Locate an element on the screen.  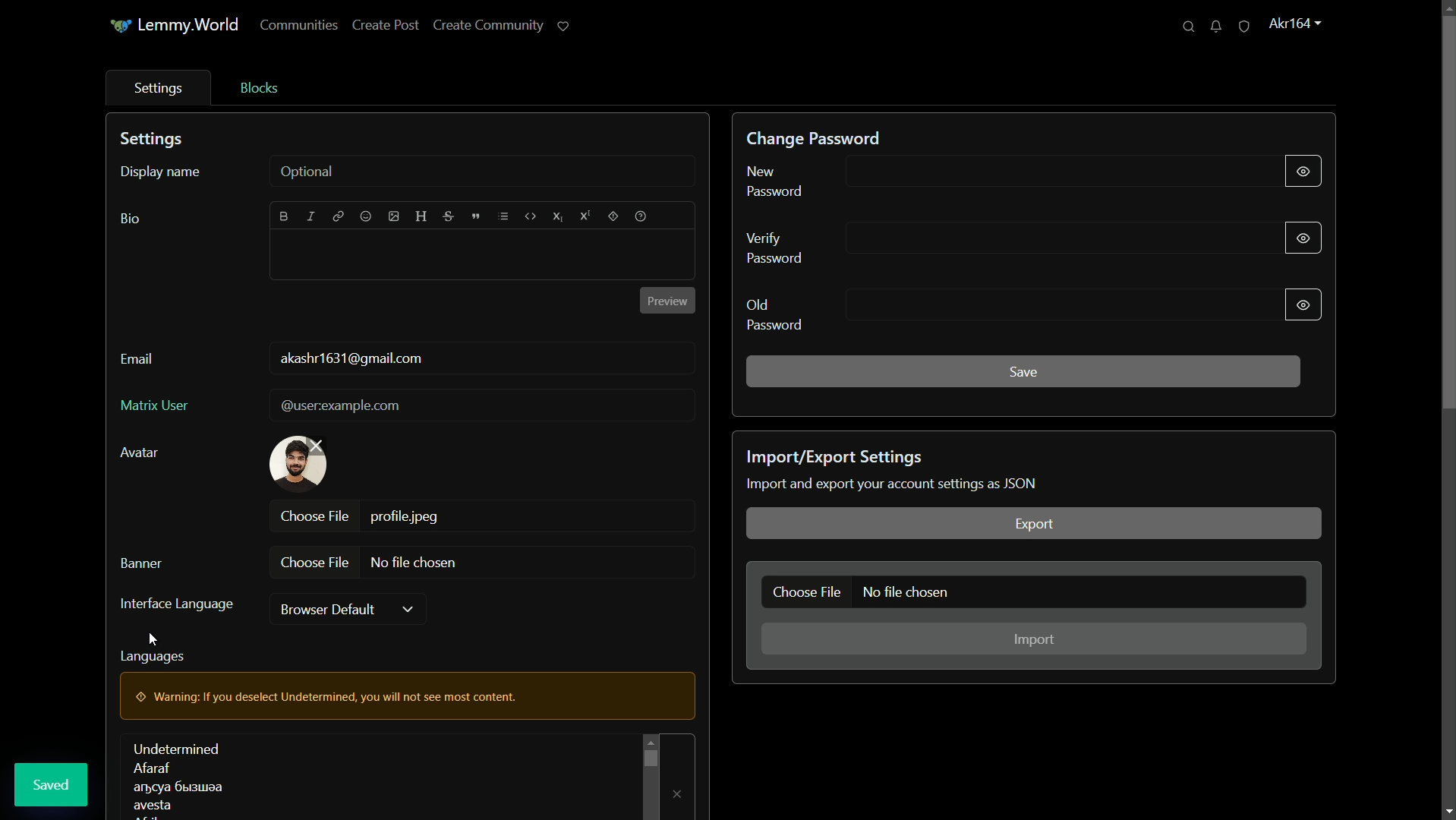
profile pic is located at coordinates (298, 463).